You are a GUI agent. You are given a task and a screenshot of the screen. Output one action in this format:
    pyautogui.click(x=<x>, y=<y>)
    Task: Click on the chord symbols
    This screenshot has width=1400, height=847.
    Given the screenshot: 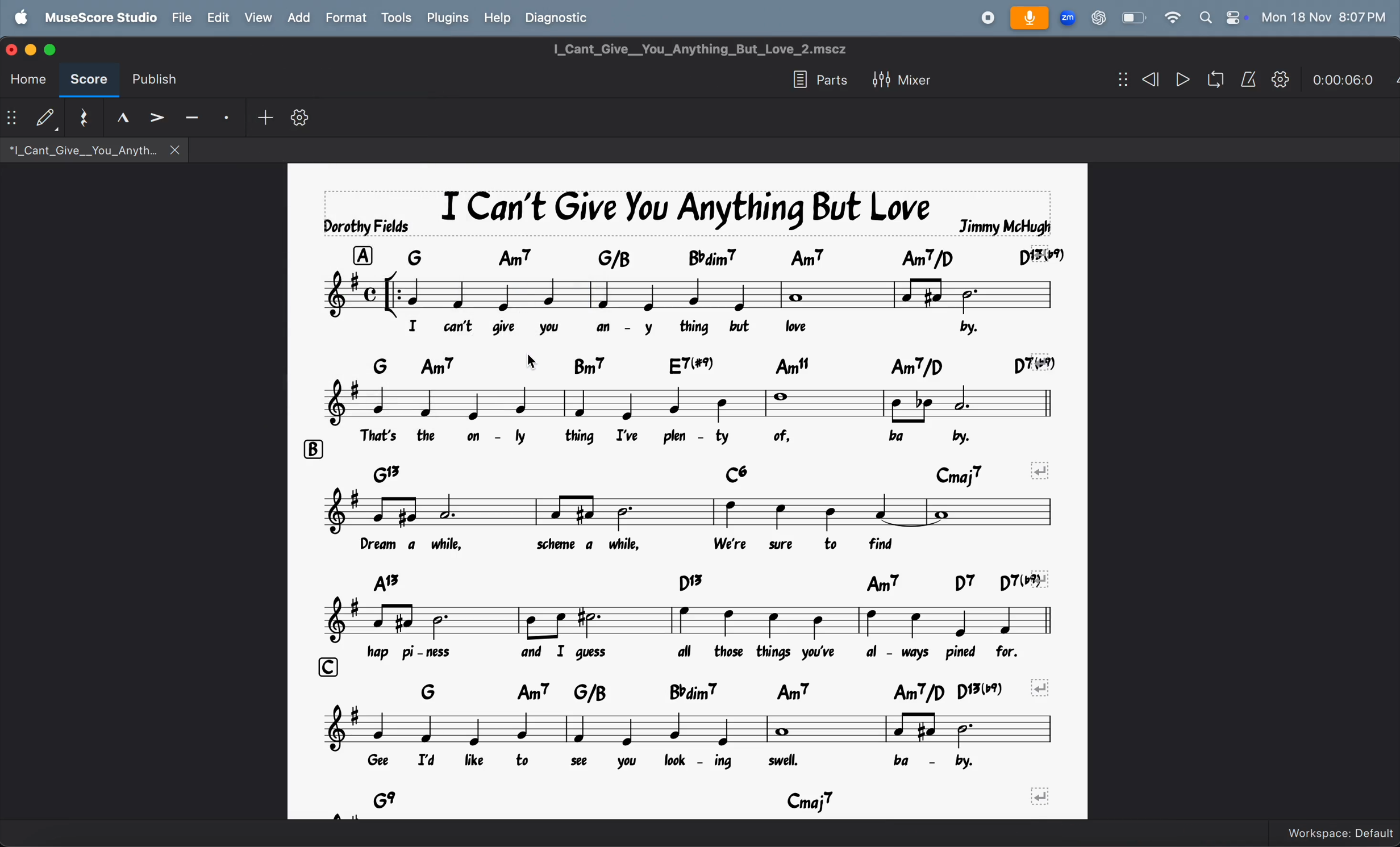 What is the action you would take?
    pyautogui.click(x=697, y=583)
    